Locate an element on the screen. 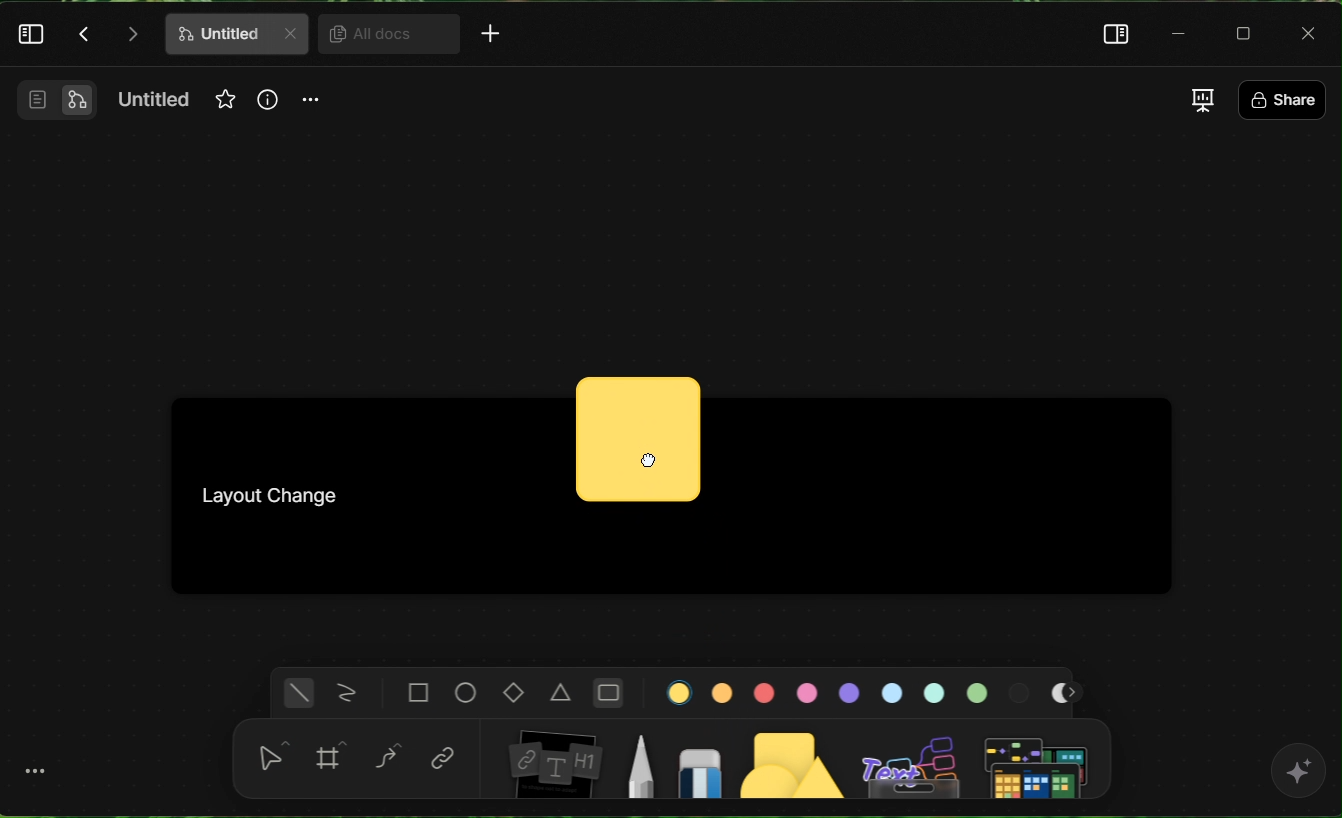  Kanban board is located at coordinates (297, 491).